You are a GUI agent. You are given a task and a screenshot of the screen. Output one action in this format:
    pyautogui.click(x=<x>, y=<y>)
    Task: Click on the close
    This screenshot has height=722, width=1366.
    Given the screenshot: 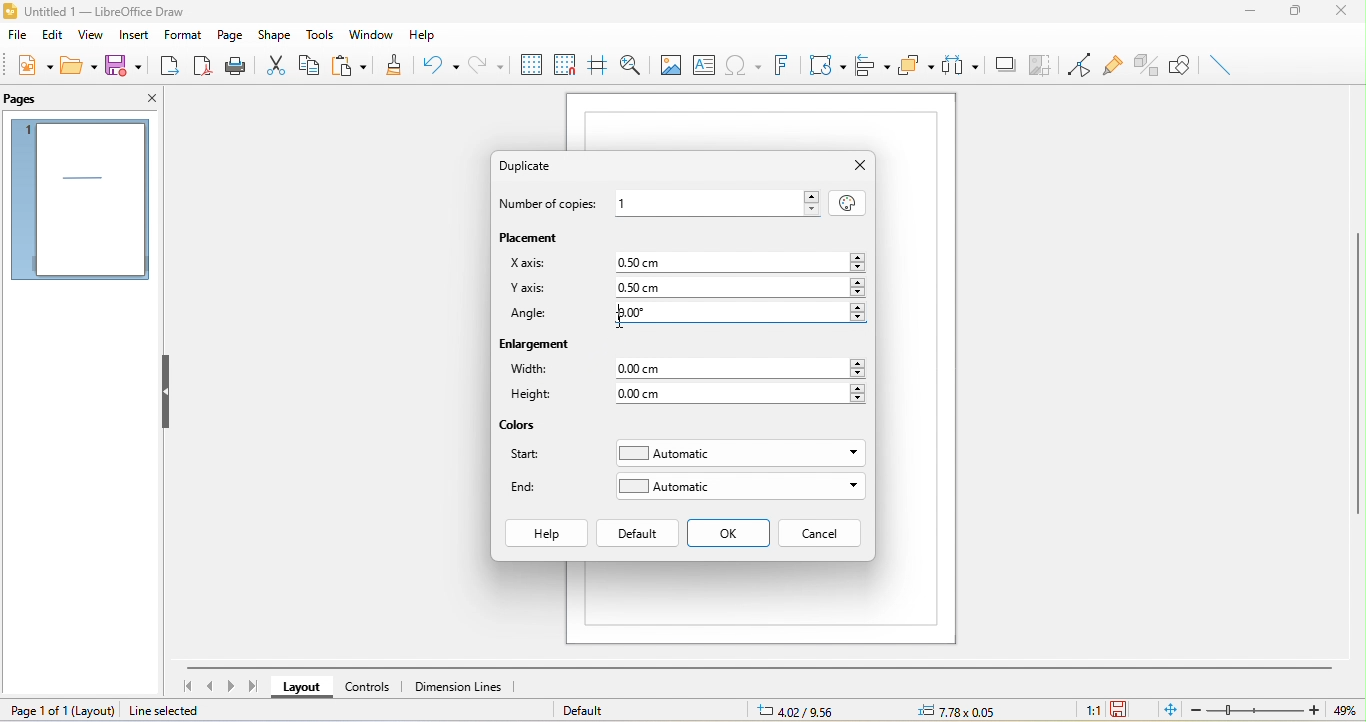 What is the action you would take?
    pyautogui.click(x=1345, y=13)
    